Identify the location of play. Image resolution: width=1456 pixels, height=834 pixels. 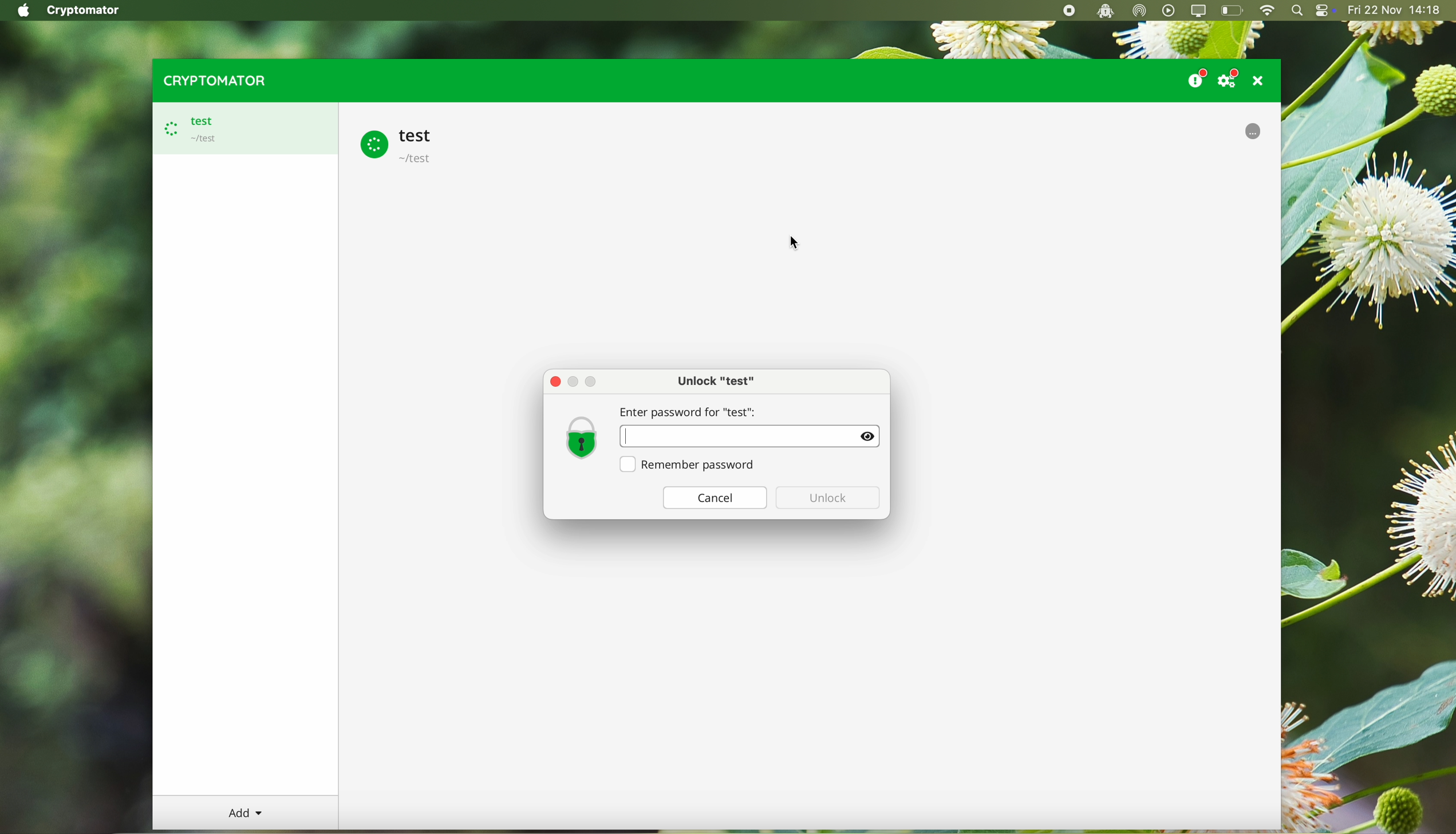
(1169, 10).